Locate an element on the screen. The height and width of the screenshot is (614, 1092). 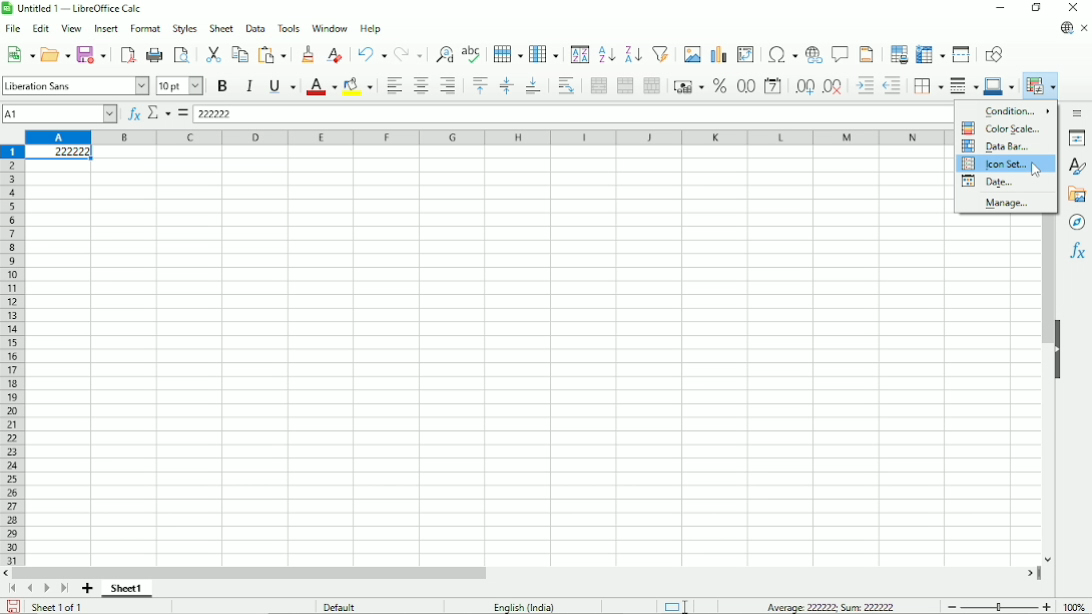
Paste is located at coordinates (275, 52).